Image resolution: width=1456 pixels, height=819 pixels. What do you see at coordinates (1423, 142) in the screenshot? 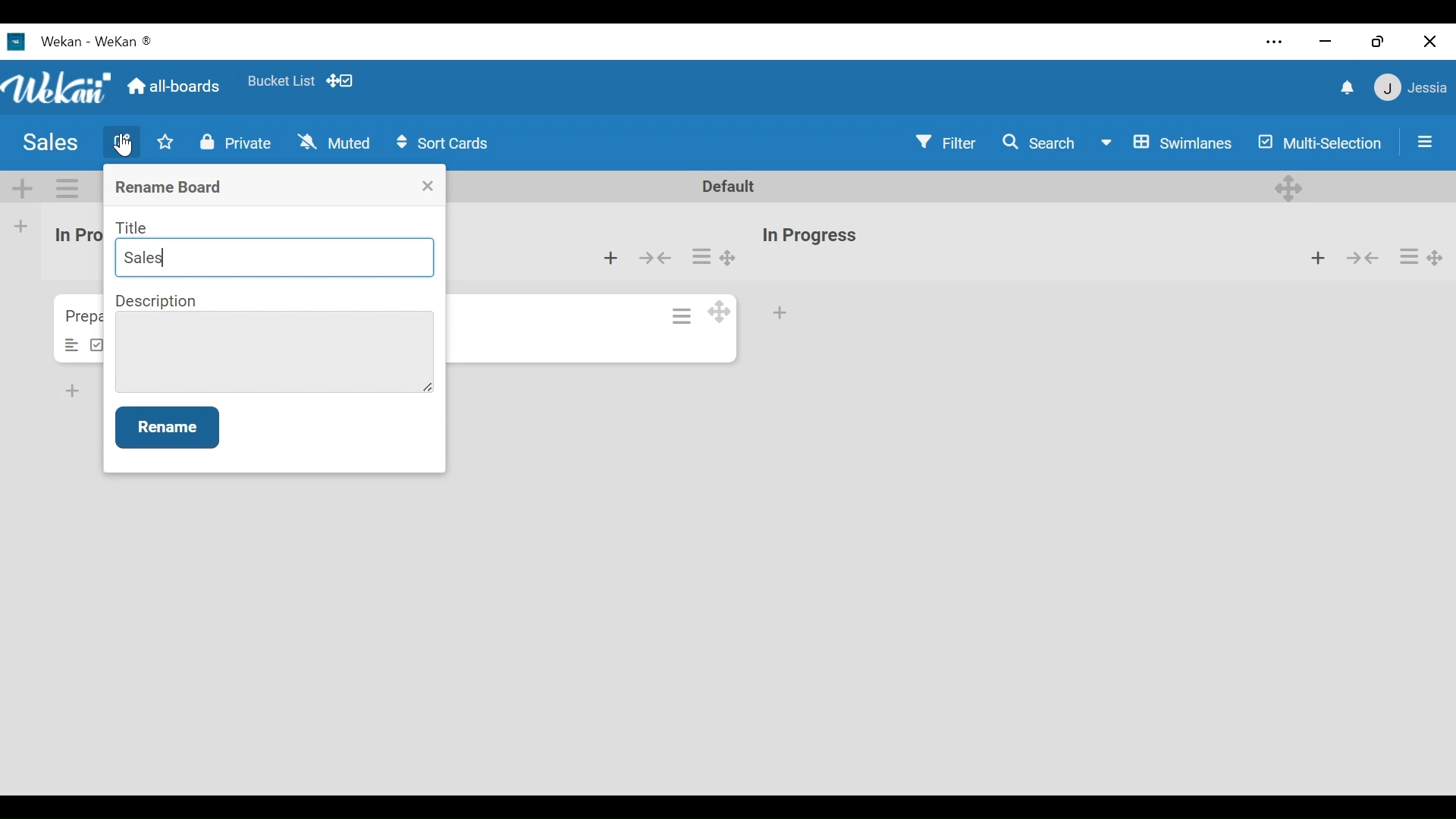
I see `Sidebar` at bounding box center [1423, 142].